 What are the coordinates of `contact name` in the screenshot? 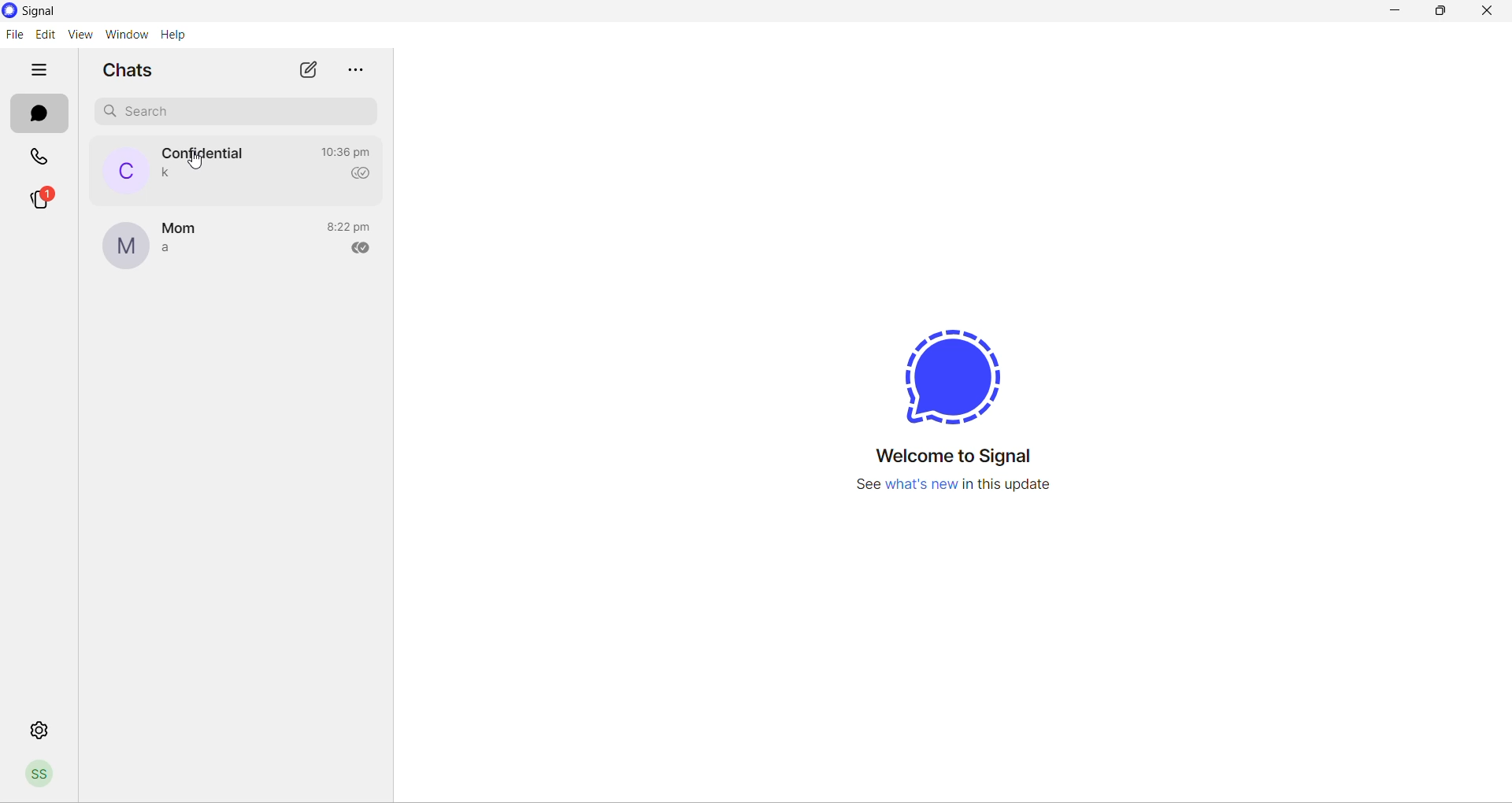 It's located at (180, 230).